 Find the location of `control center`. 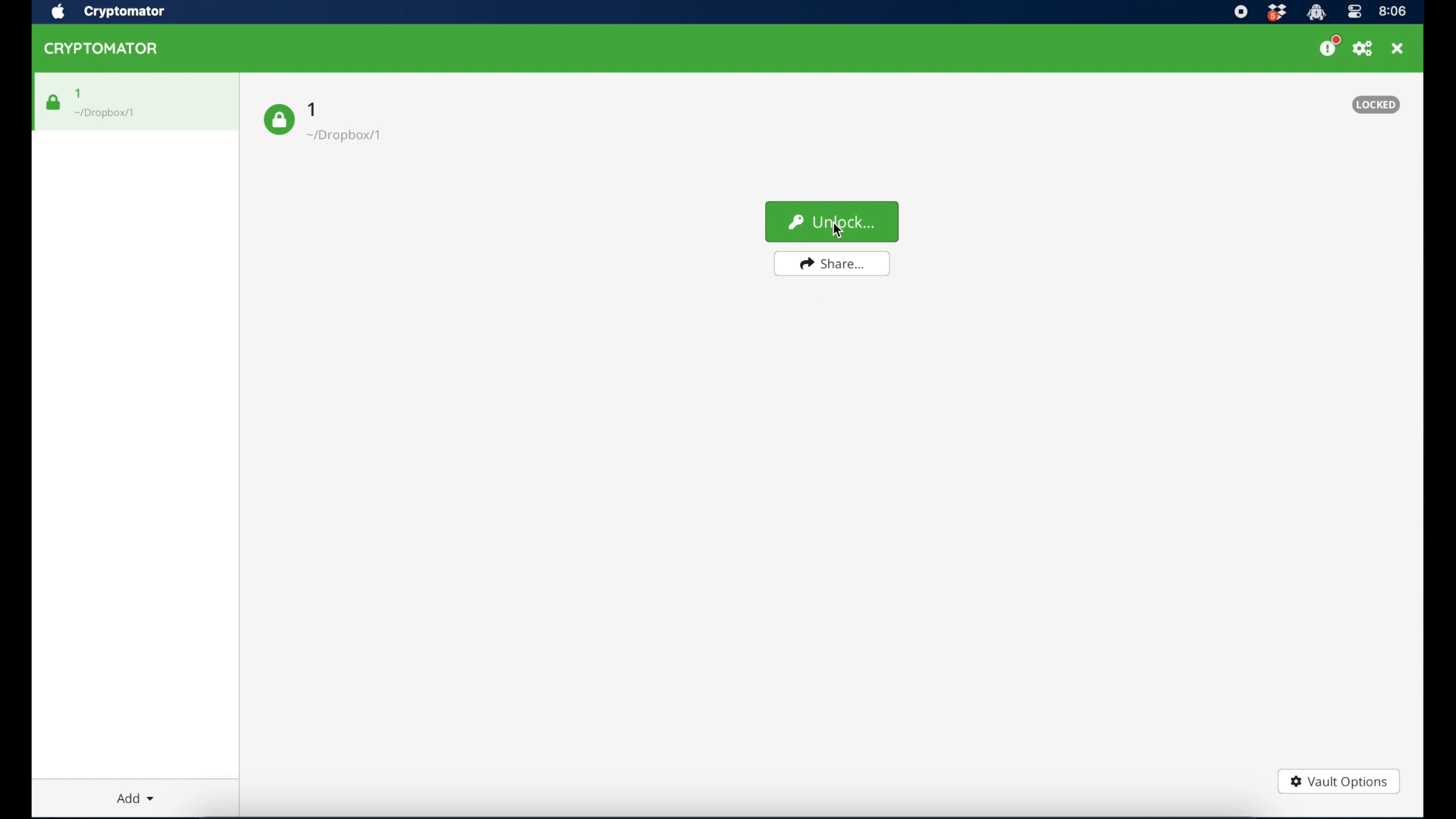

control center is located at coordinates (1354, 12).